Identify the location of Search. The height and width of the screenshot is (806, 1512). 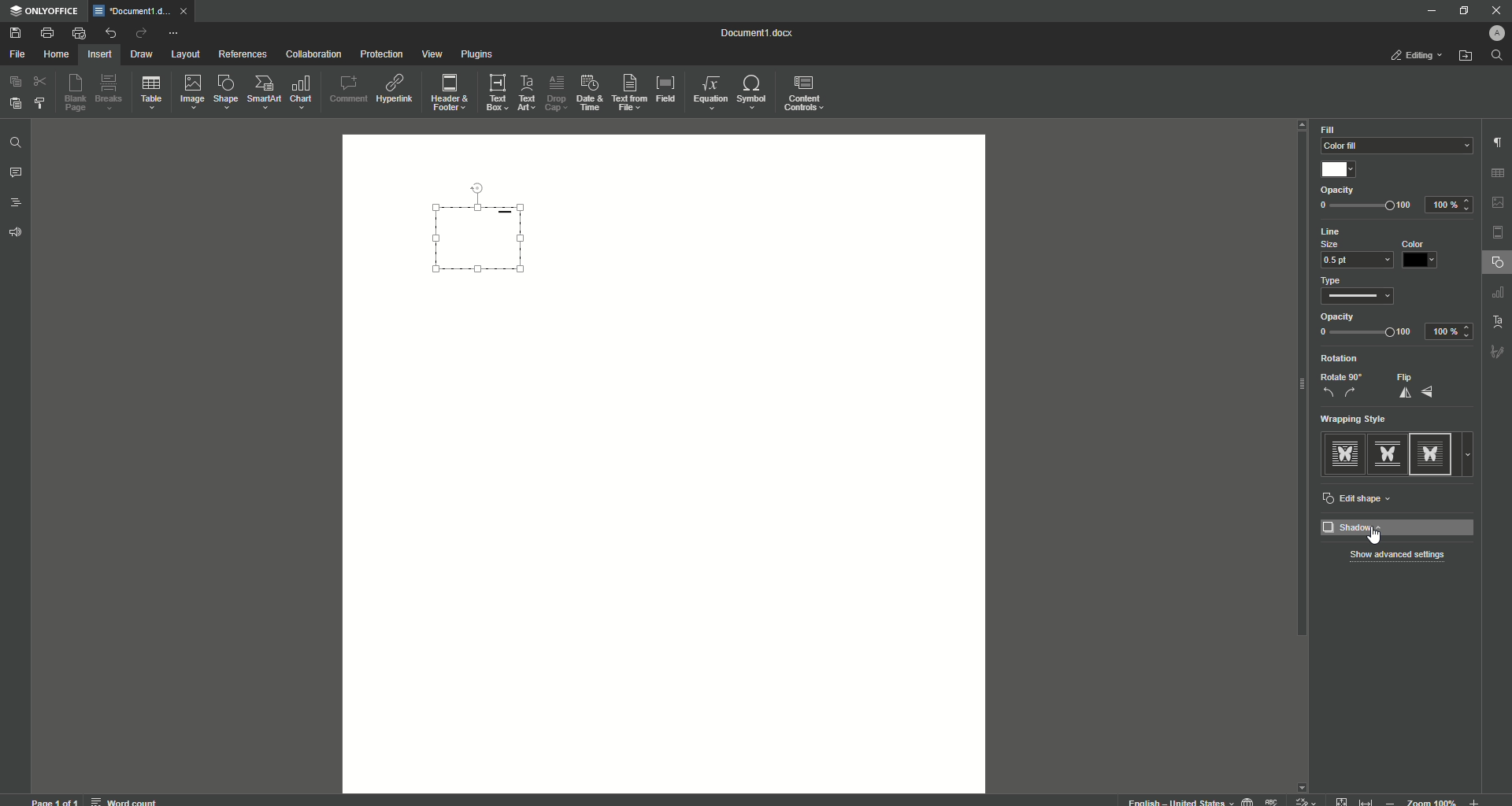
(1497, 56).